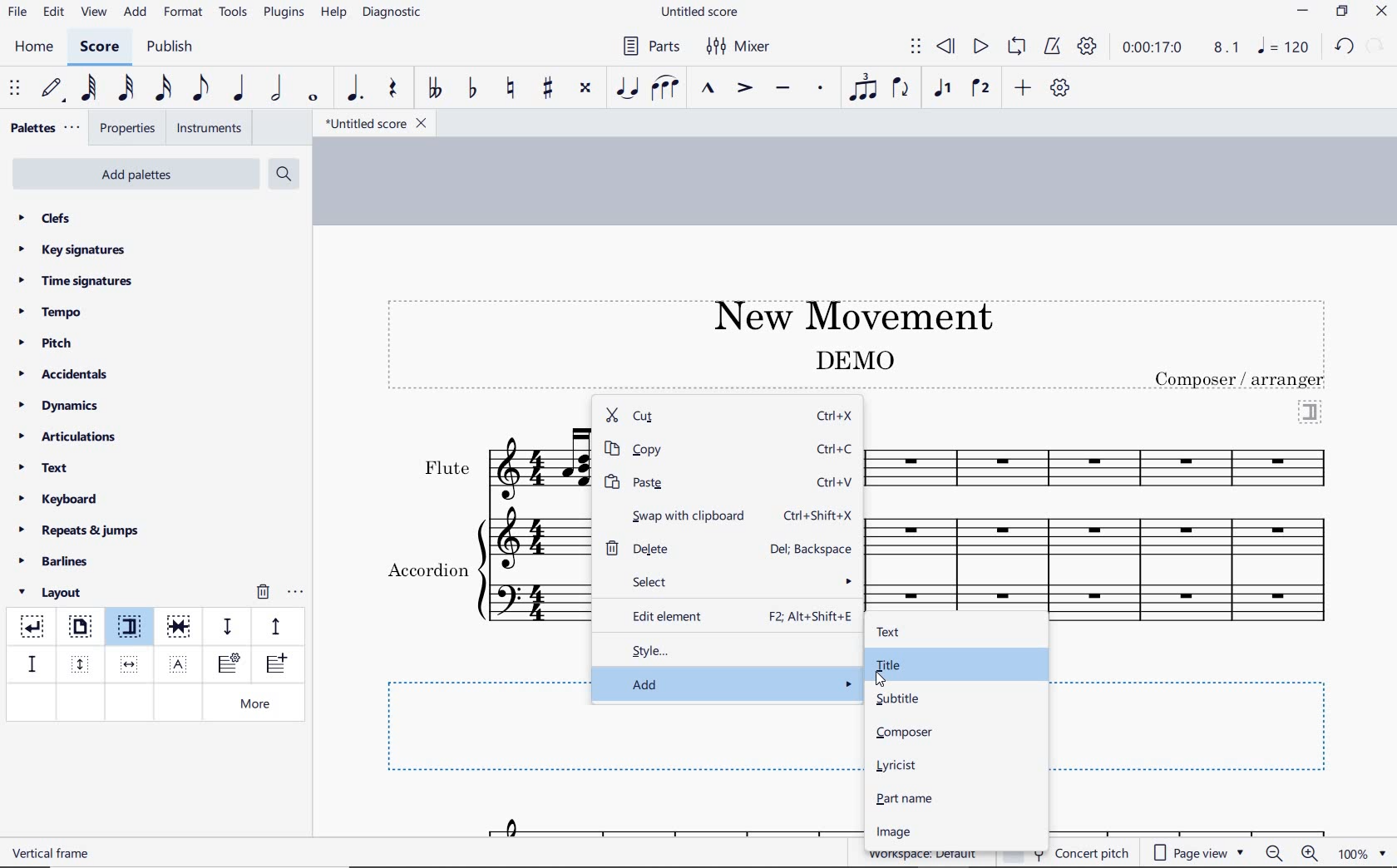 The width and height of the screenshot is (1397, 868). What do you see at coordinates (1285, 47) in the screenshot?
I see `NOTE` at bounding box center [1285, 47].